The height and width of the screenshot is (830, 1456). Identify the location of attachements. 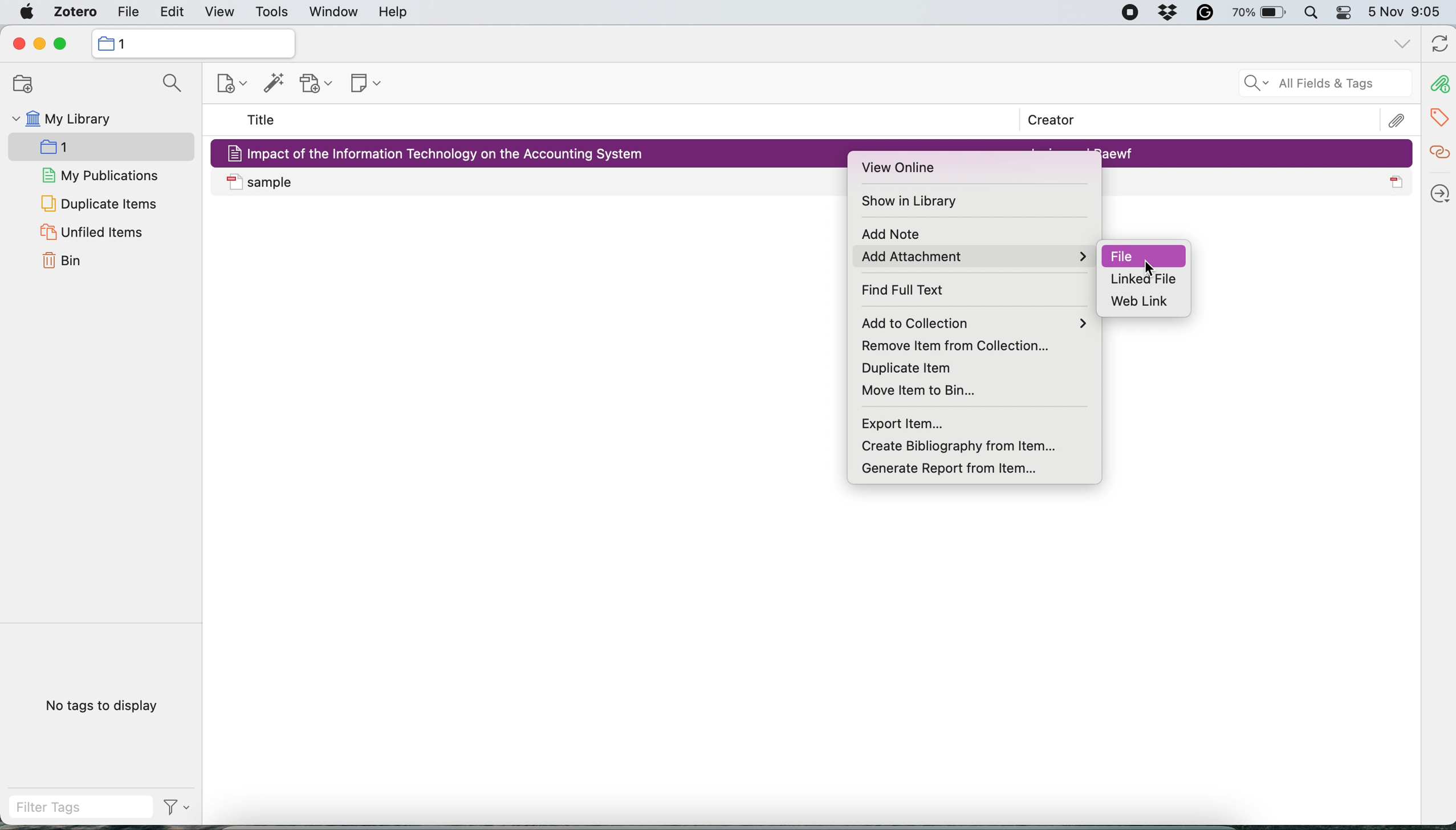
(1438, 84).